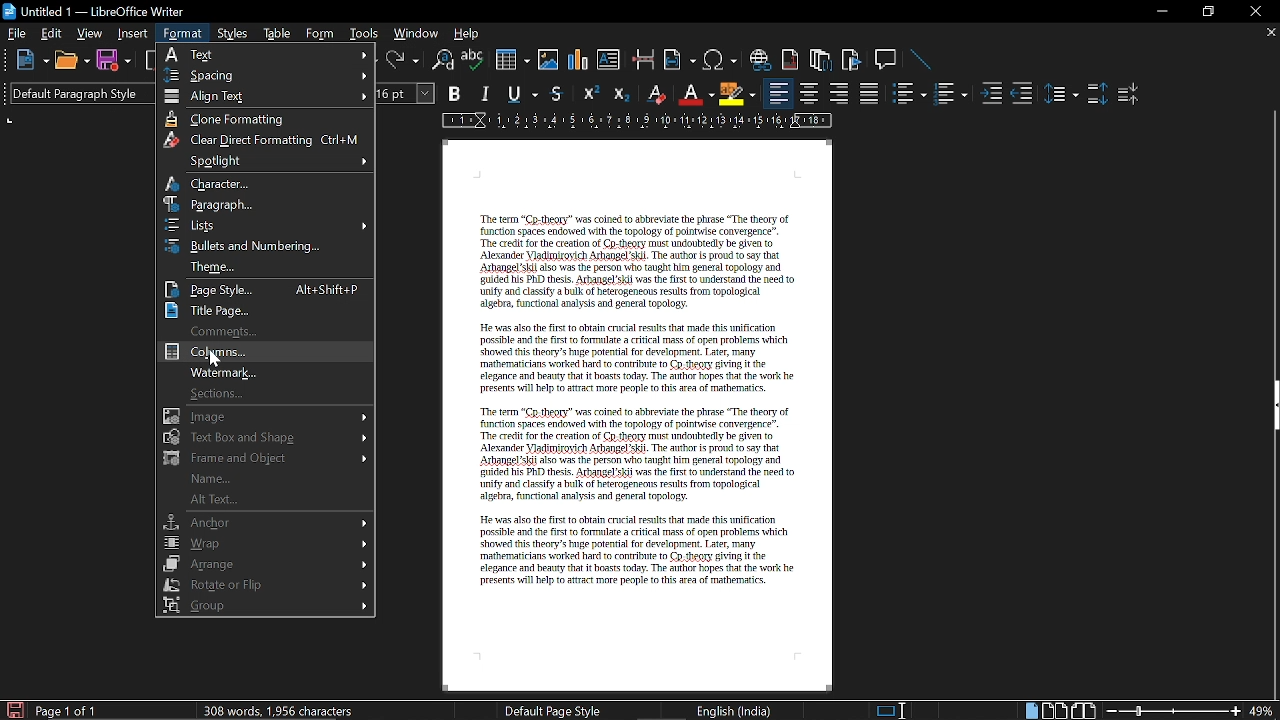  I want to click on Insert page break, so click(642, 60).